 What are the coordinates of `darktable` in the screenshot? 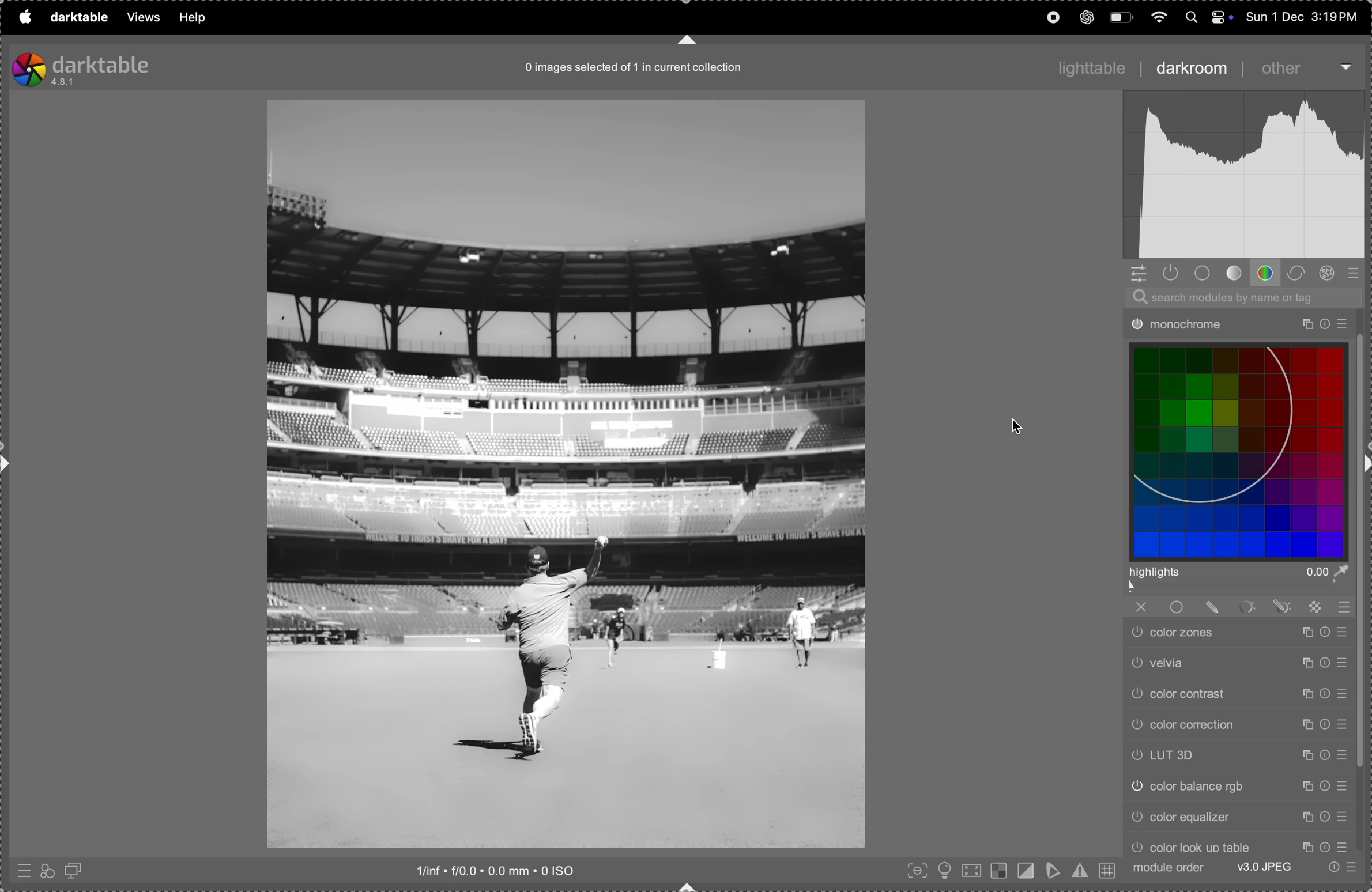 It's located at (77, 19).